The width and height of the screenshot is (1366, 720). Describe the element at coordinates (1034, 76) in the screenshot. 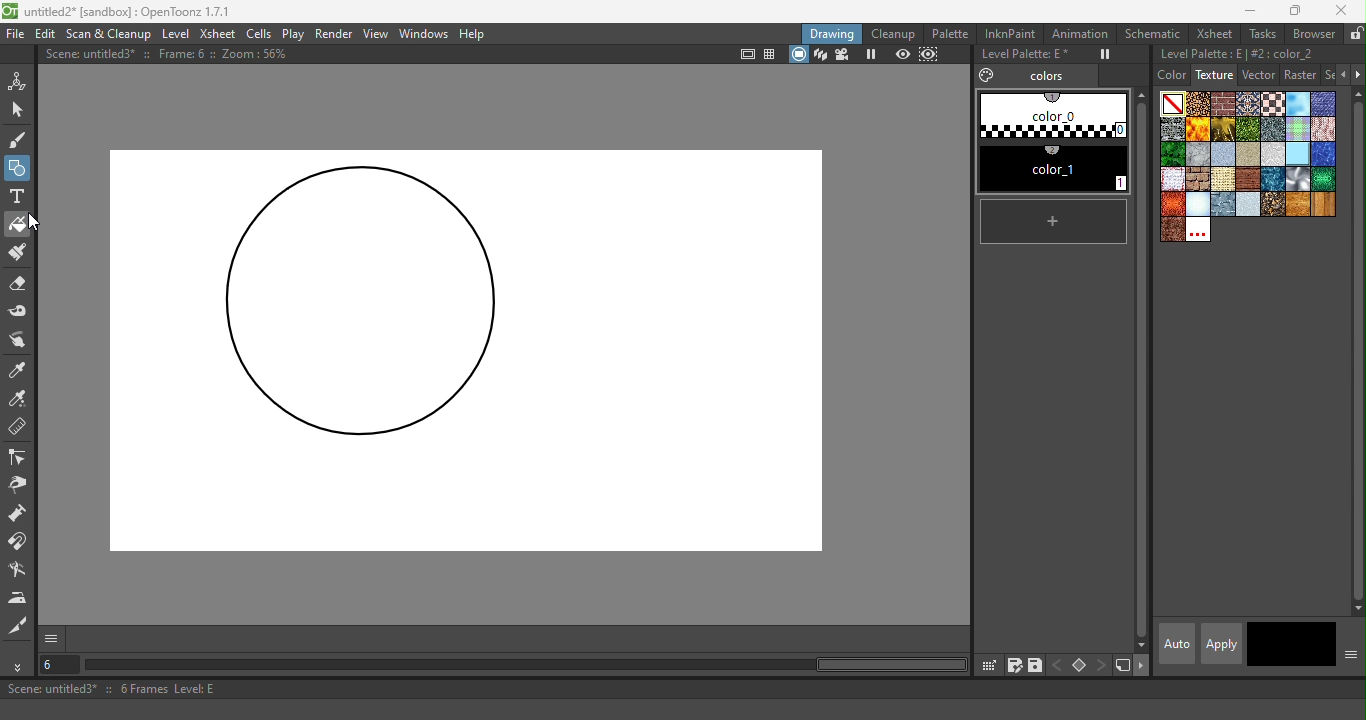

I see `Colors` at that location.